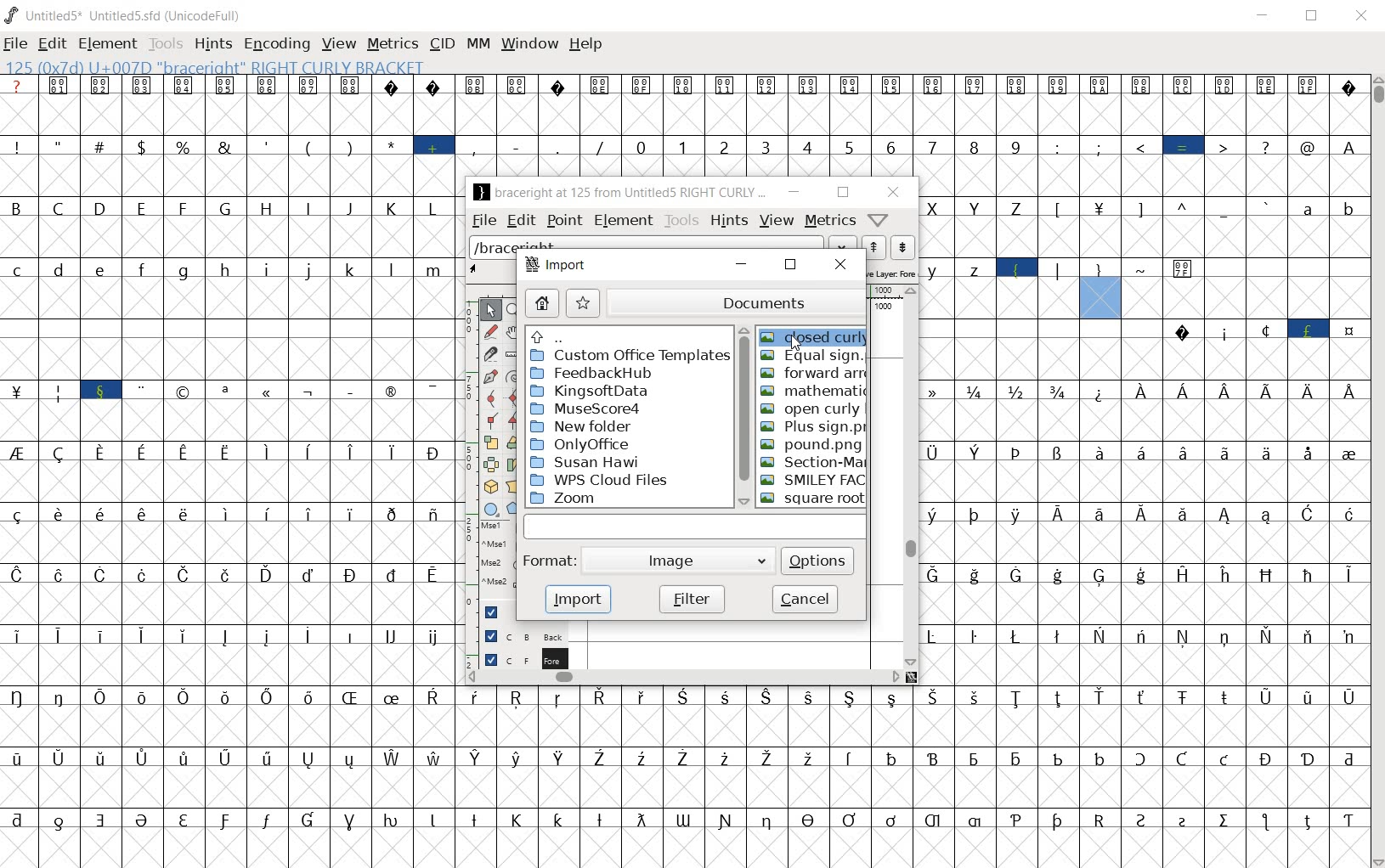 The width and height of the screenshot is (1385, 868). Describe the element at coordinates (879, 221) in the screenshot. I see `Help/Window` at that location.